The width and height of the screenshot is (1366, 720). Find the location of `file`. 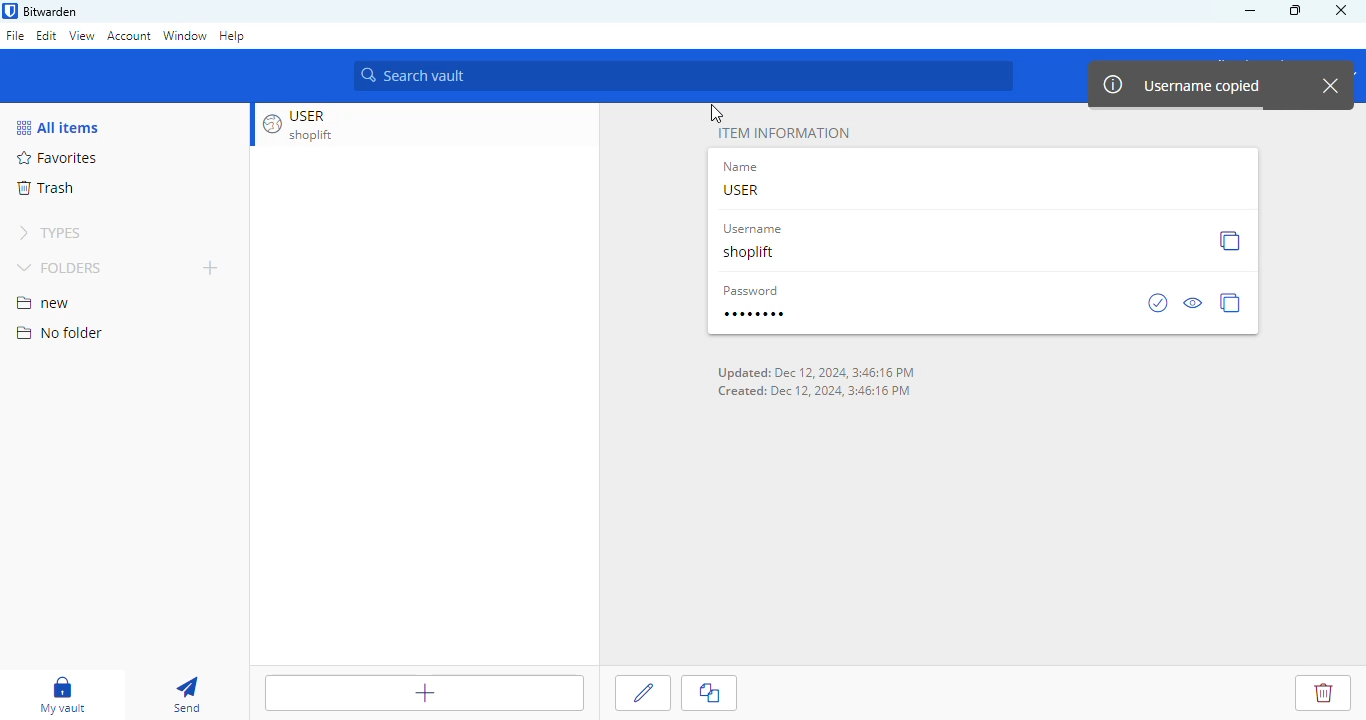

file is located at coordinates (15, 35).